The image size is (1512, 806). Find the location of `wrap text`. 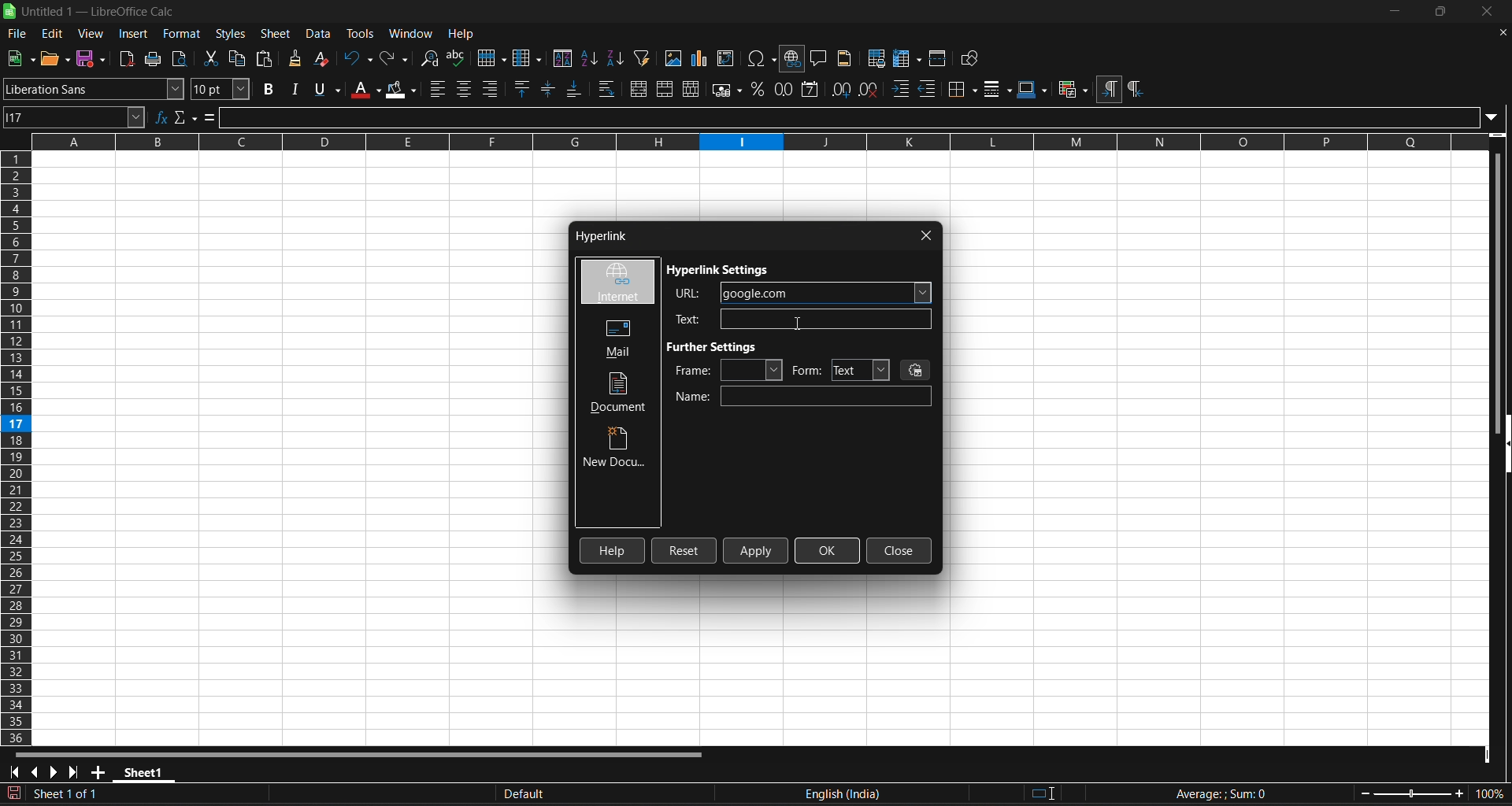

wrap text is located at coordinates (608, 89).